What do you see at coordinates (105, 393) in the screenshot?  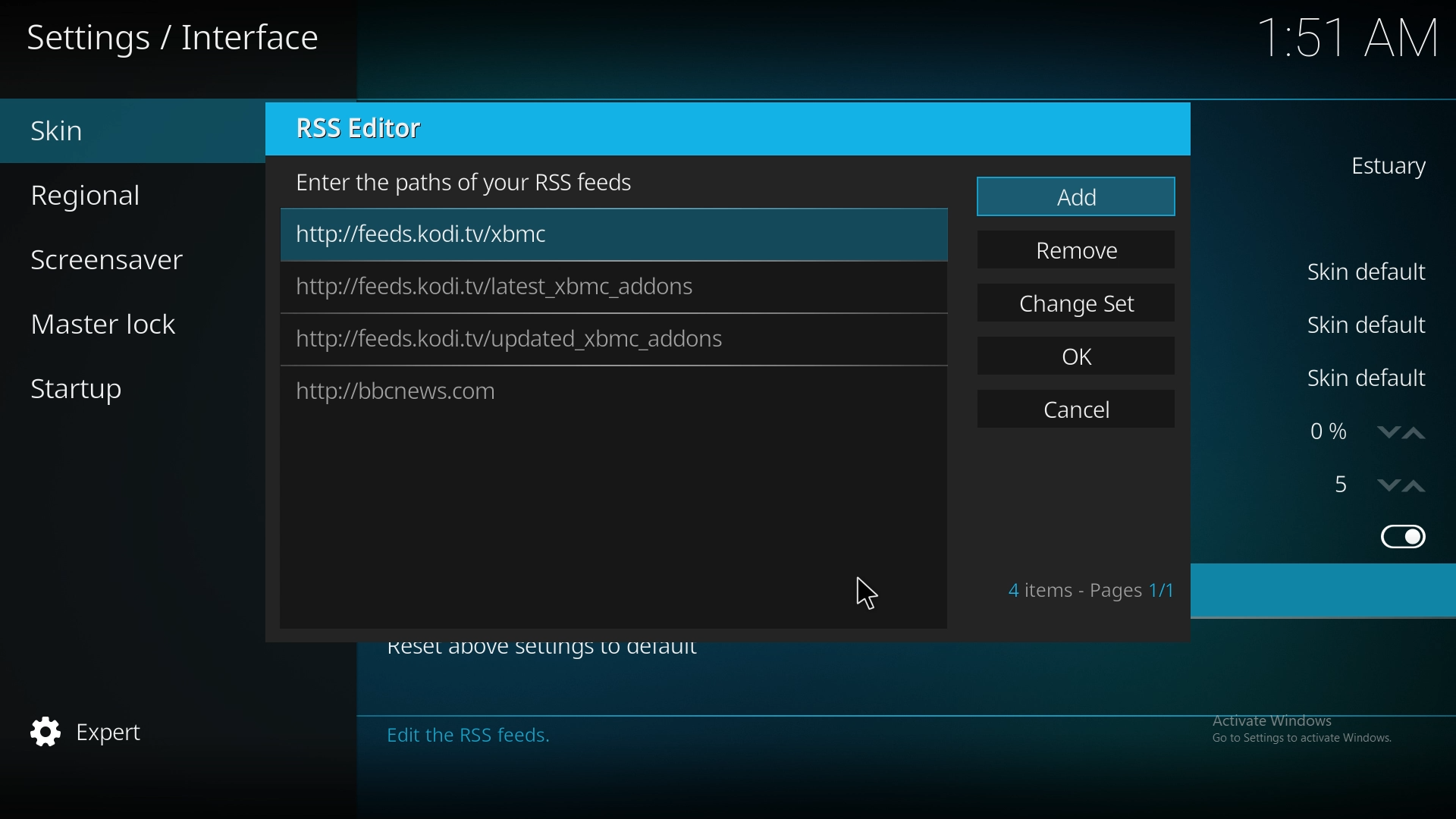 I see `startup` at bounding box center [105, 393].